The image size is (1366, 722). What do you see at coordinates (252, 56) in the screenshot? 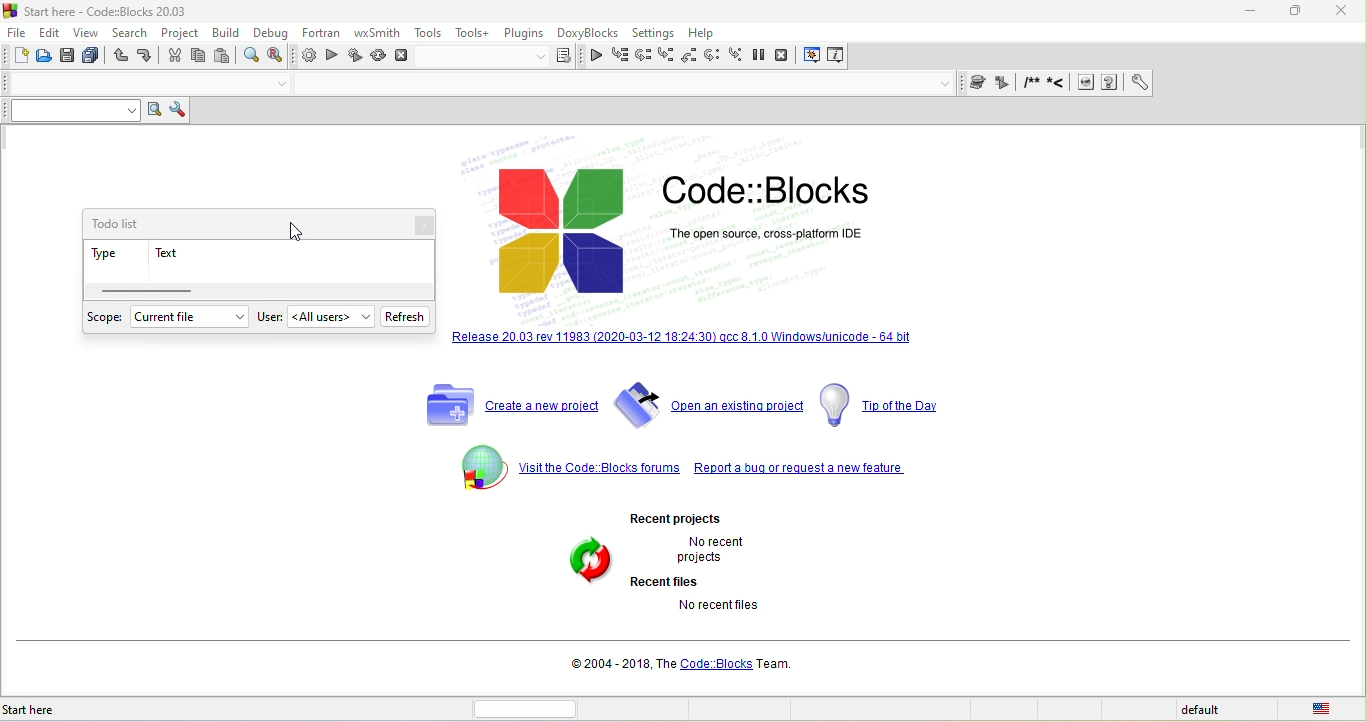
I see `find` at bounding box center [252, 56].